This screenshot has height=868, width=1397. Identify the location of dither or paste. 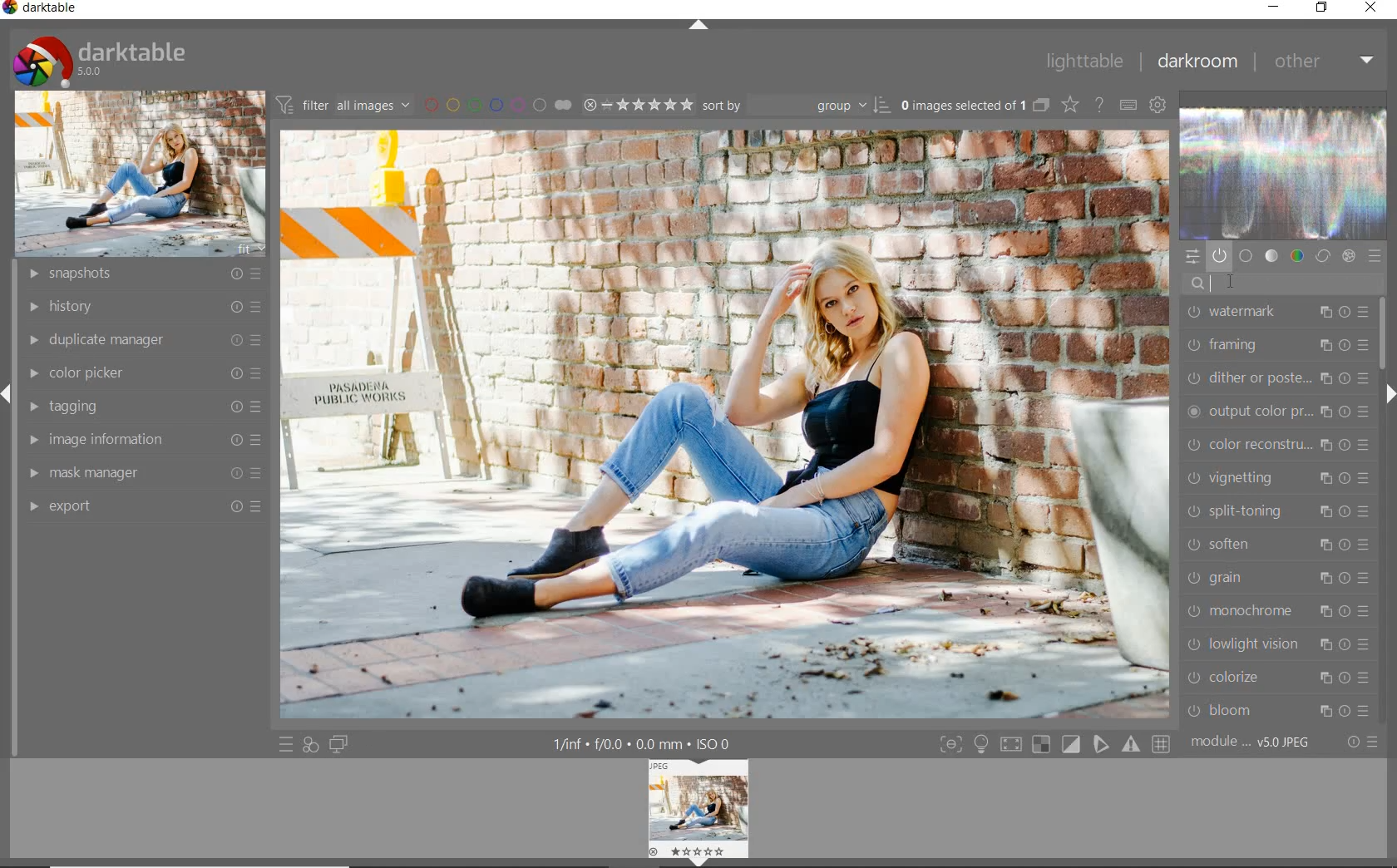
(1276, 381).